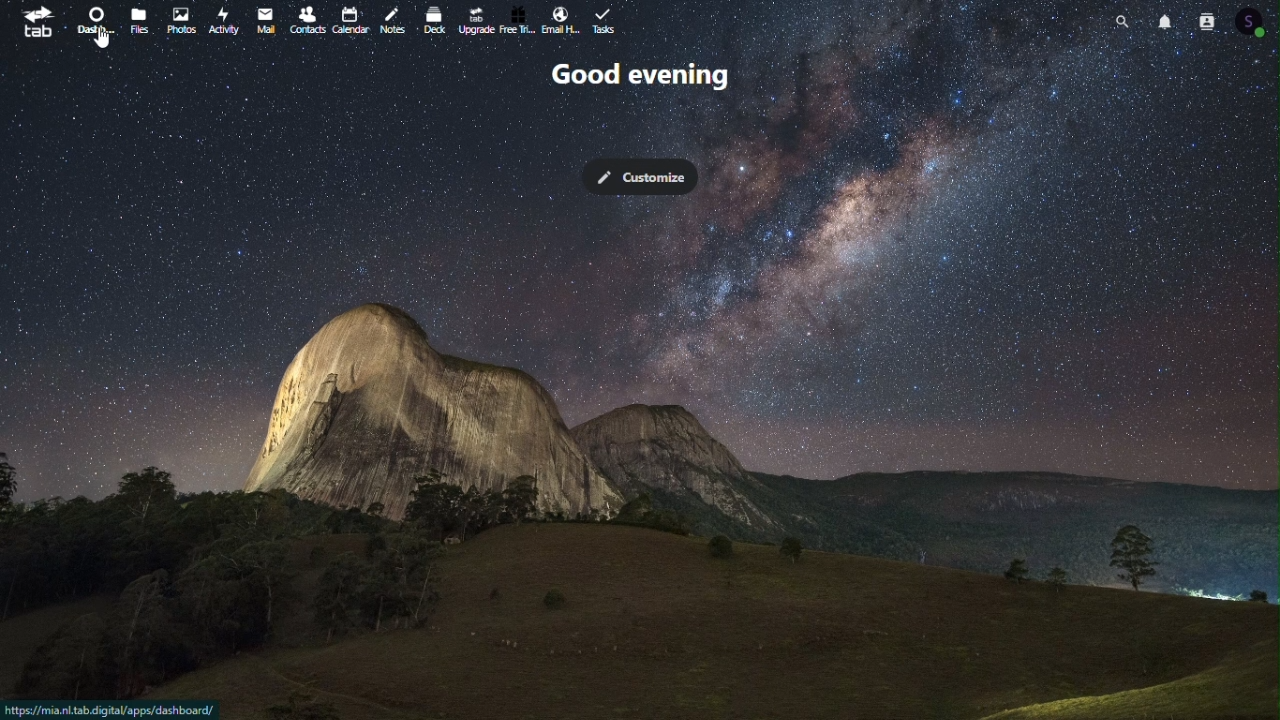 The width and height of the screenshot is (1280, 720). What do you see at coordinates (561, 22) in the screenshot?
I see `email hosting` at bounding box center [561, 22].